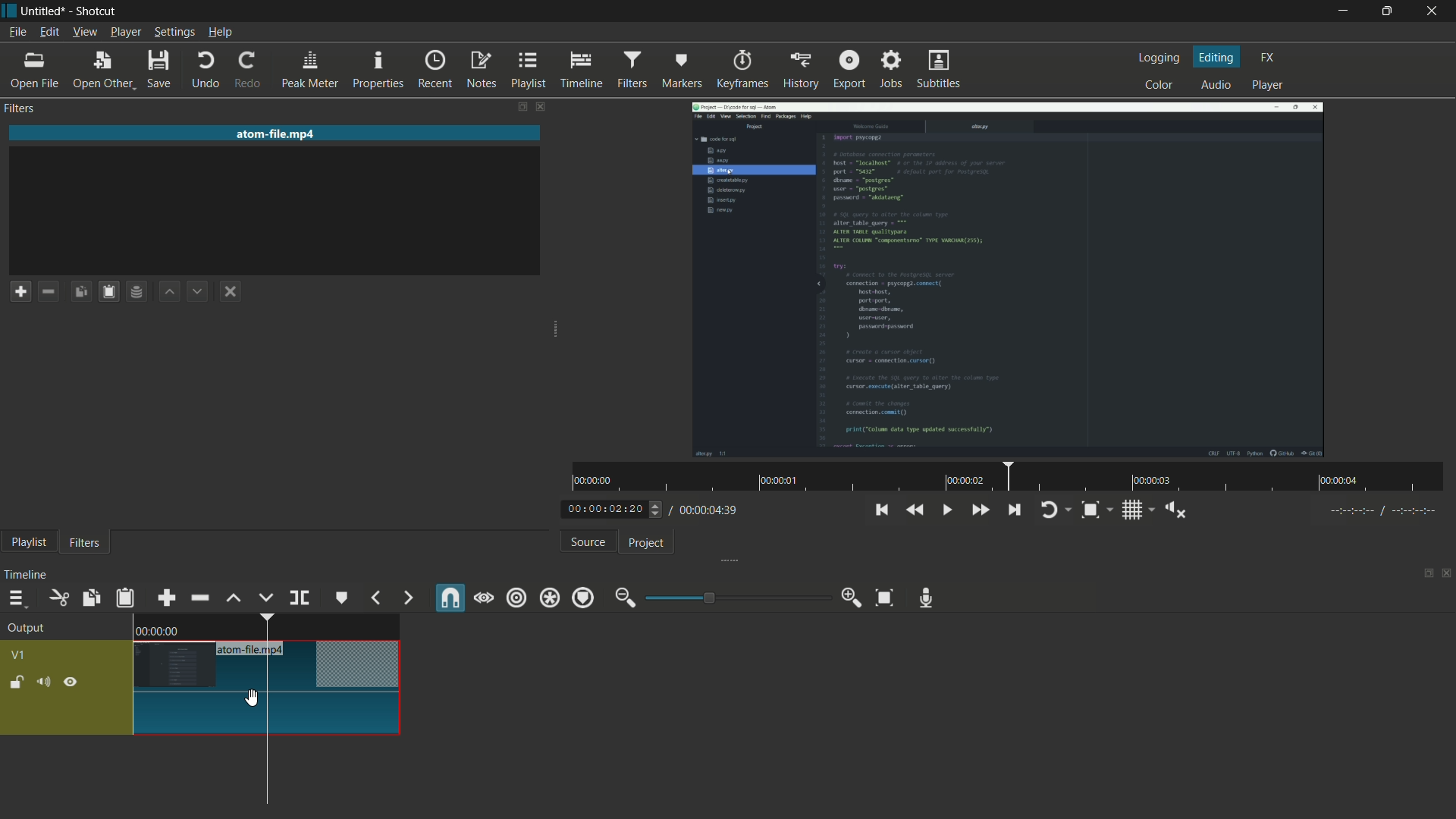 The width and height of the screenshot is (1456, 819). Describe the element at coordinates (1159, 86) in the screenshot. I see `color` at that location.